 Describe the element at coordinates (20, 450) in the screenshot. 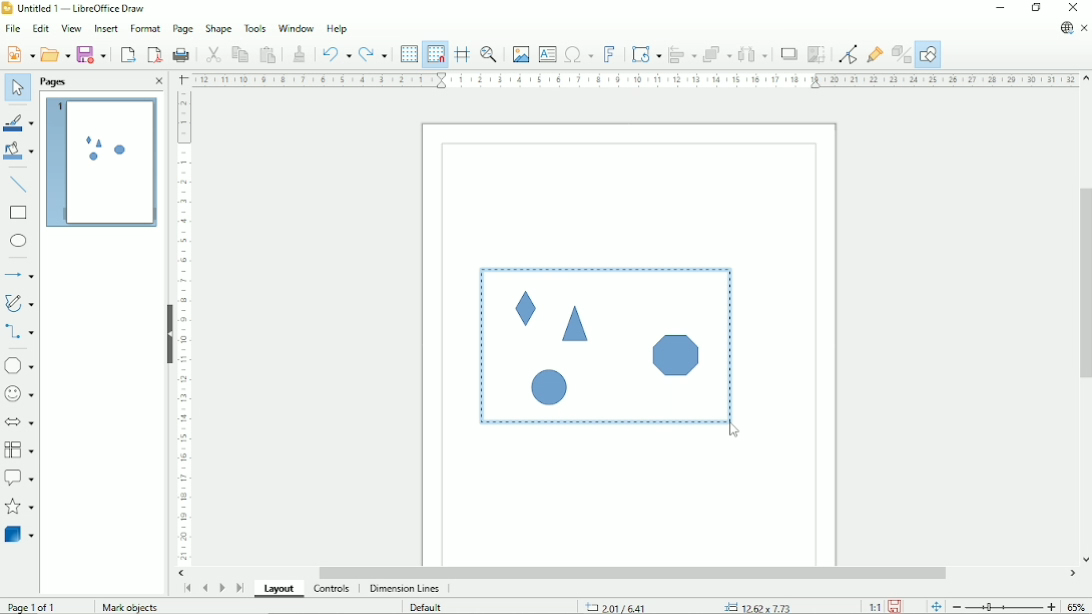

I see `Flowchart` at that location.